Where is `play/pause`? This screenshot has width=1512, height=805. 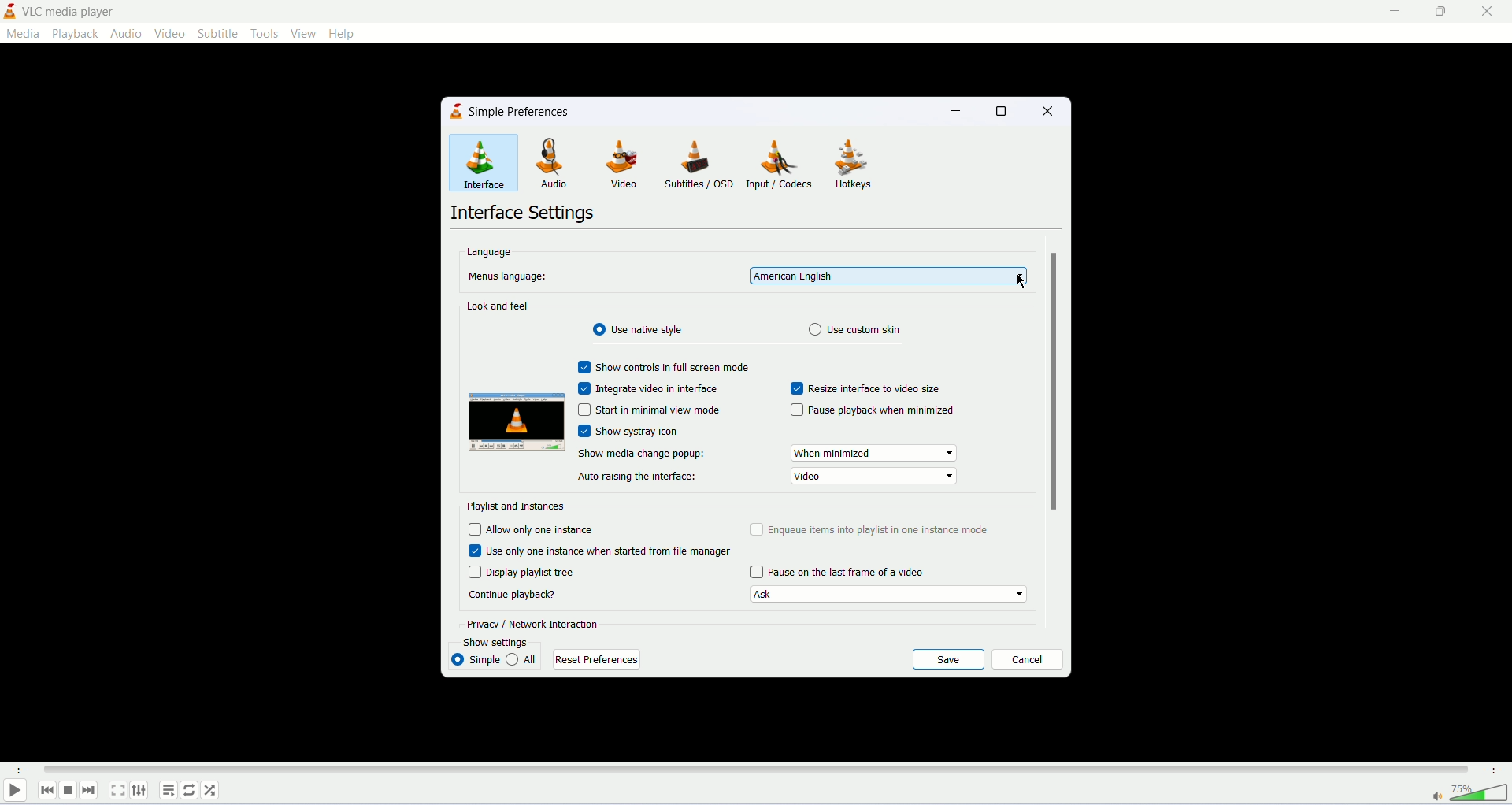 play/pause is located at coordinates (16, 792).